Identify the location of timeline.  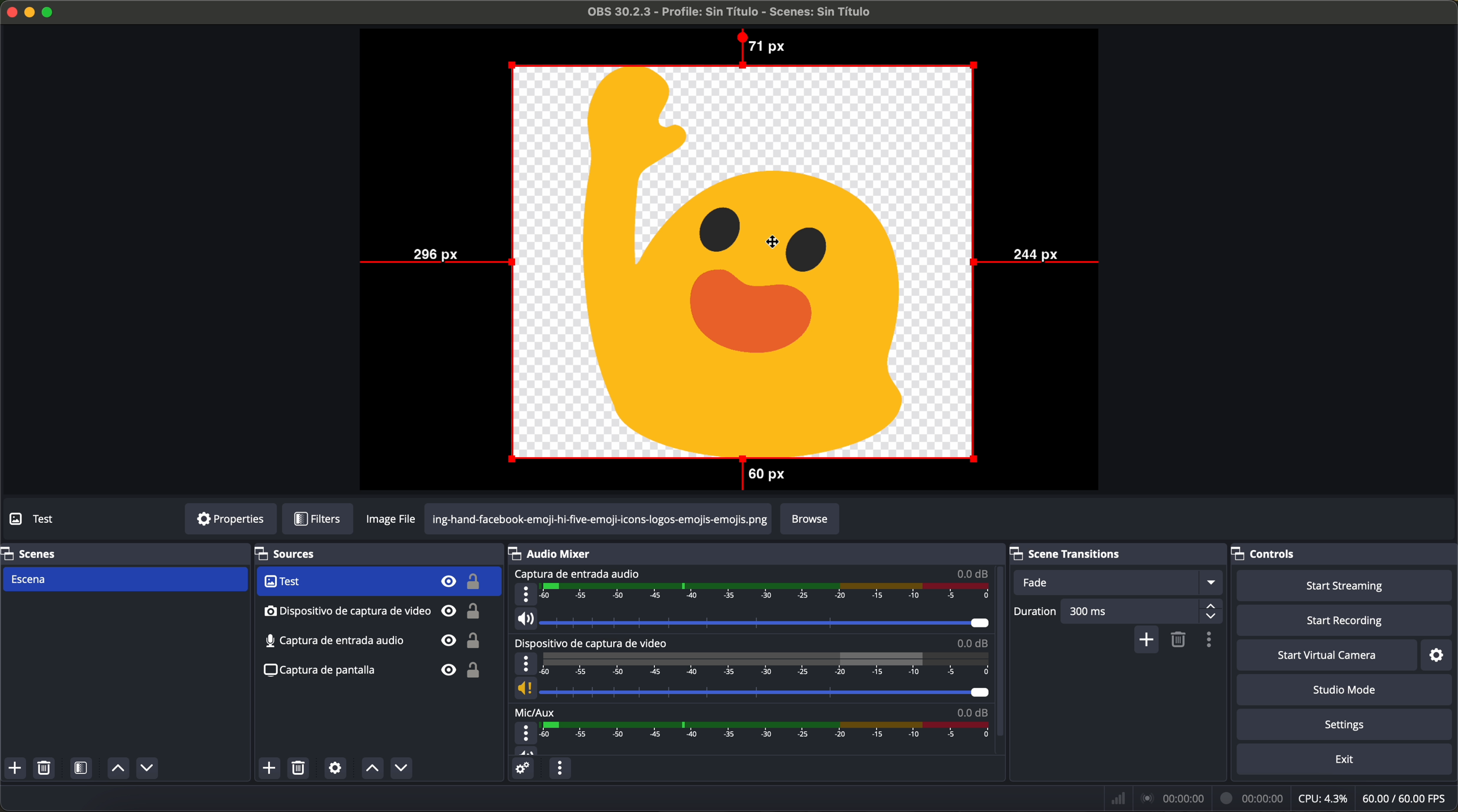
(766, 593).